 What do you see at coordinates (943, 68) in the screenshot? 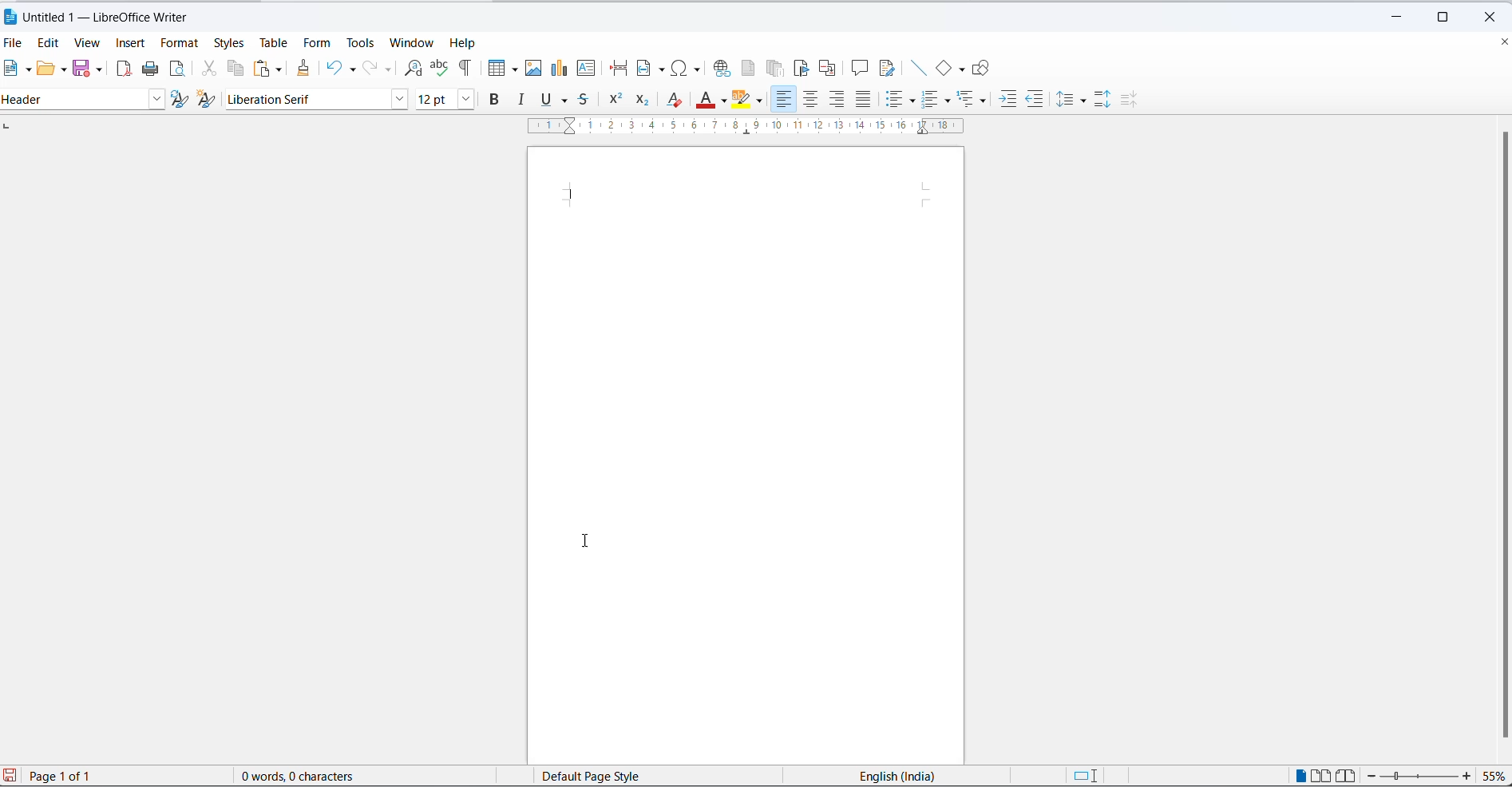
I see `basic shapes` at bounding box center [943, 68].